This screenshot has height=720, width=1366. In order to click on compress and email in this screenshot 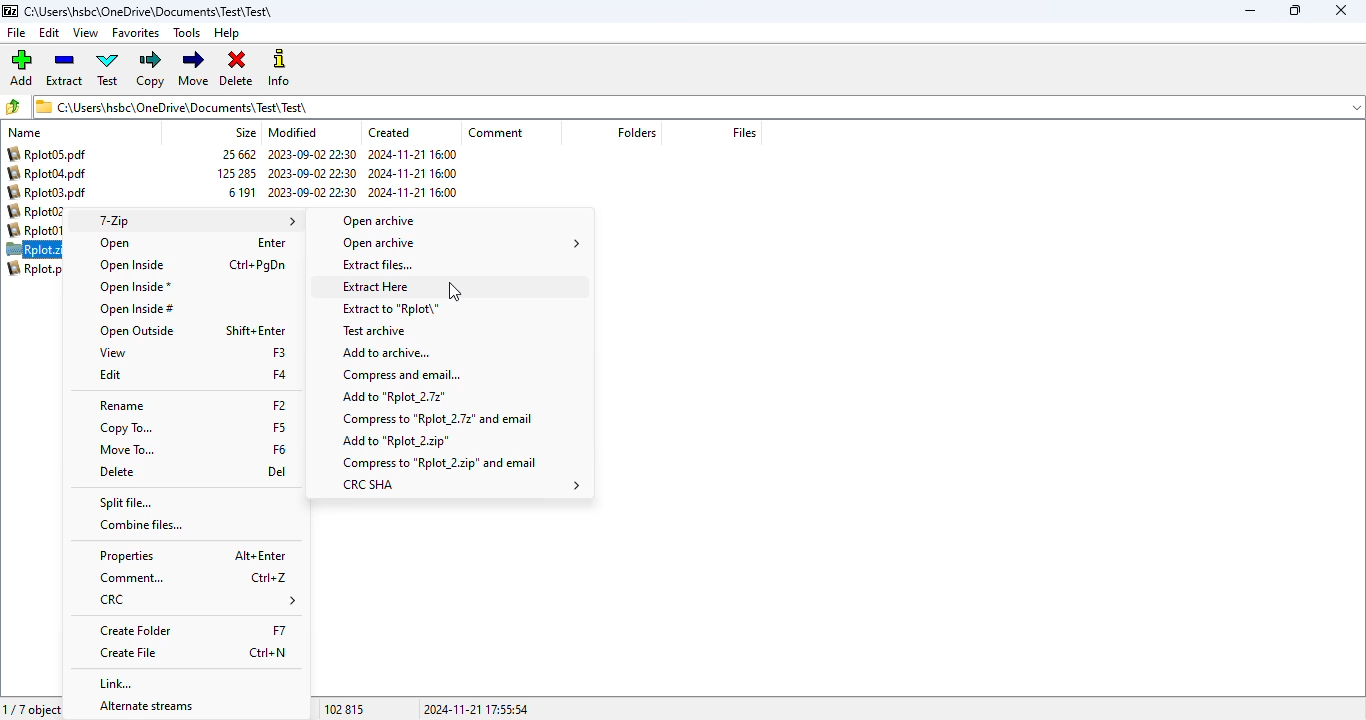, I will do `click(401, 374)`.